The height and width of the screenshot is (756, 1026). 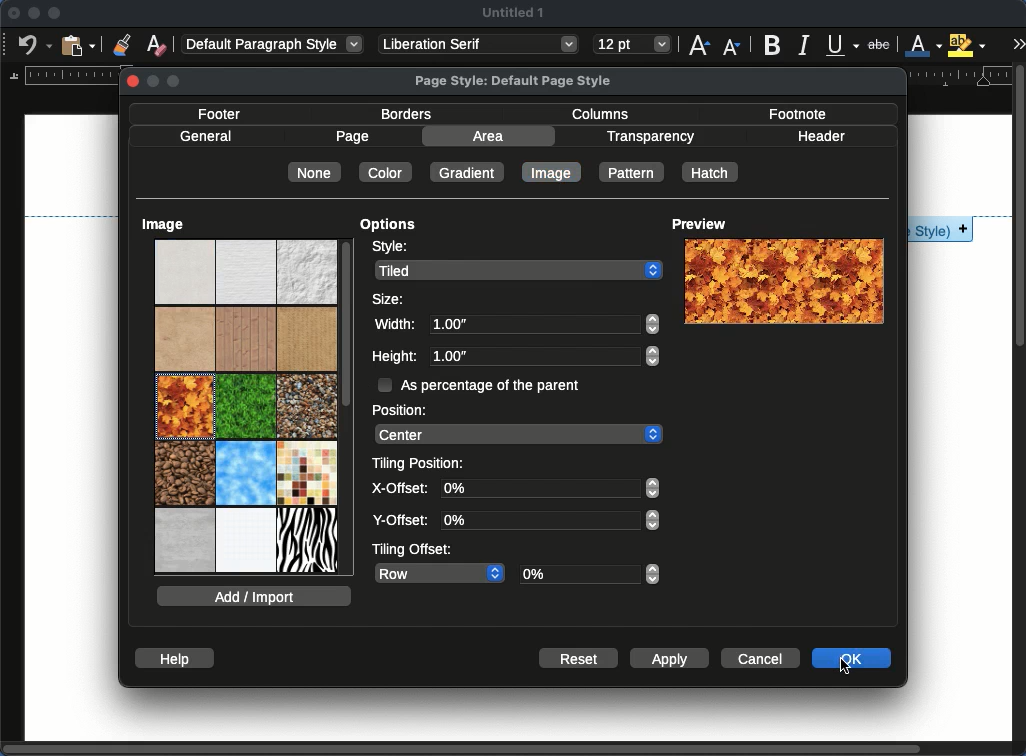 I want to click on page style: default page style, so click(x=517, y=81).